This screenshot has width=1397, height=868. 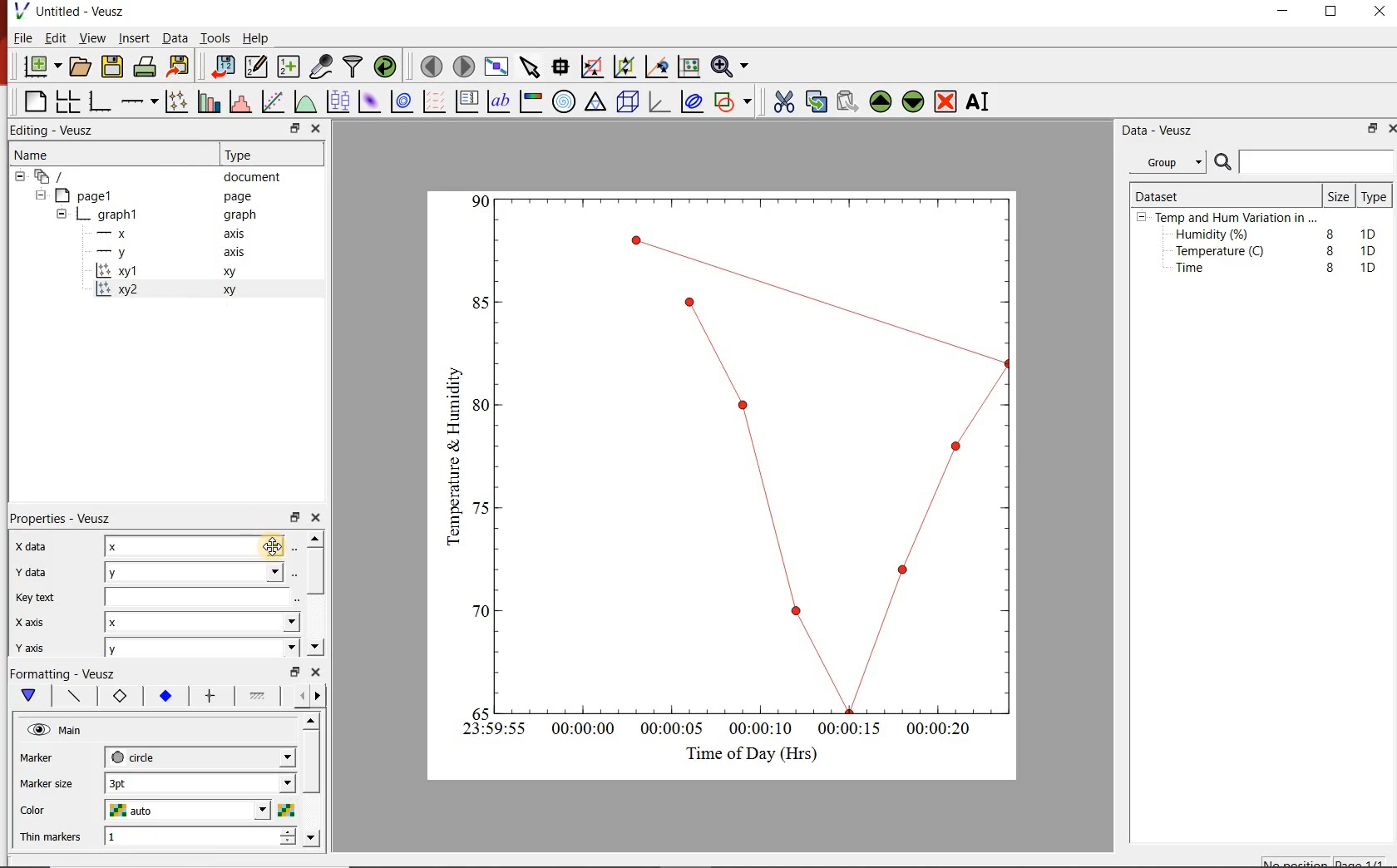 What do you see at coordinates (565, 103) in the screenshot?
I see `polar graph` at bounding box center [565, 103].